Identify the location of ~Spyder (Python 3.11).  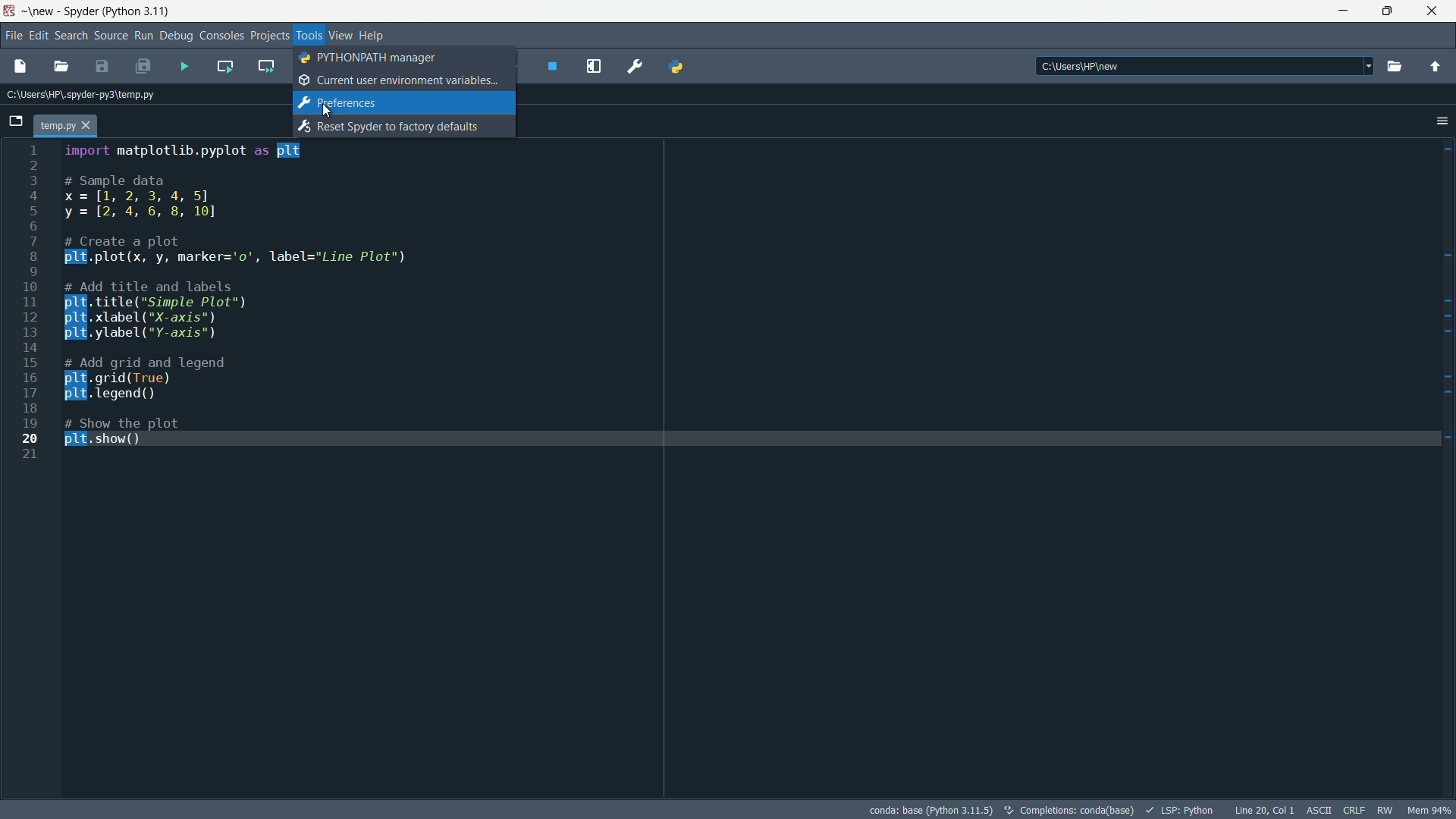
(104, 11).